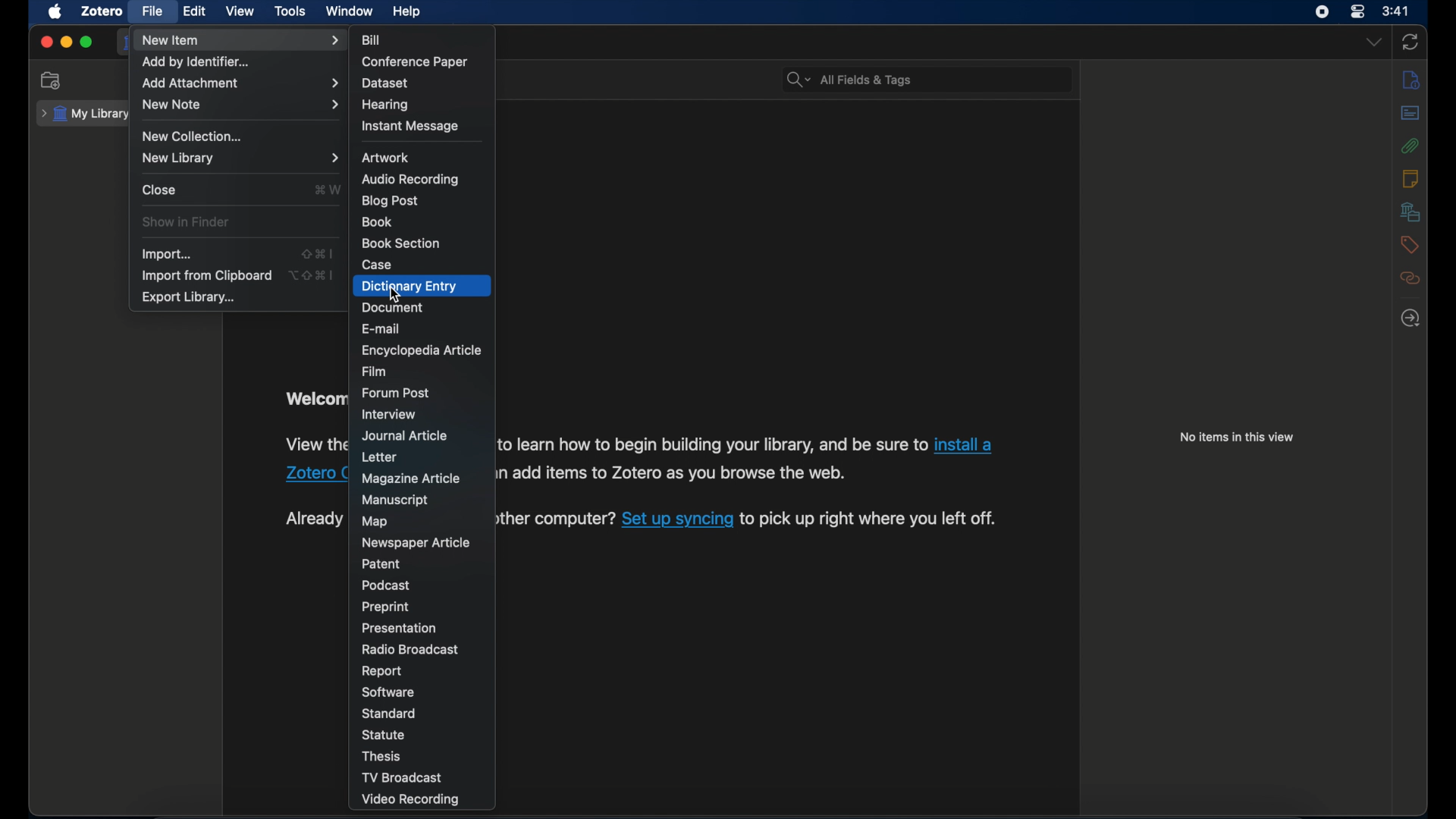 The image size is (1456, 819). What do you see at coordinates (376, 372) in the screenshot?
I see `film` at bounding box center [376, 372].